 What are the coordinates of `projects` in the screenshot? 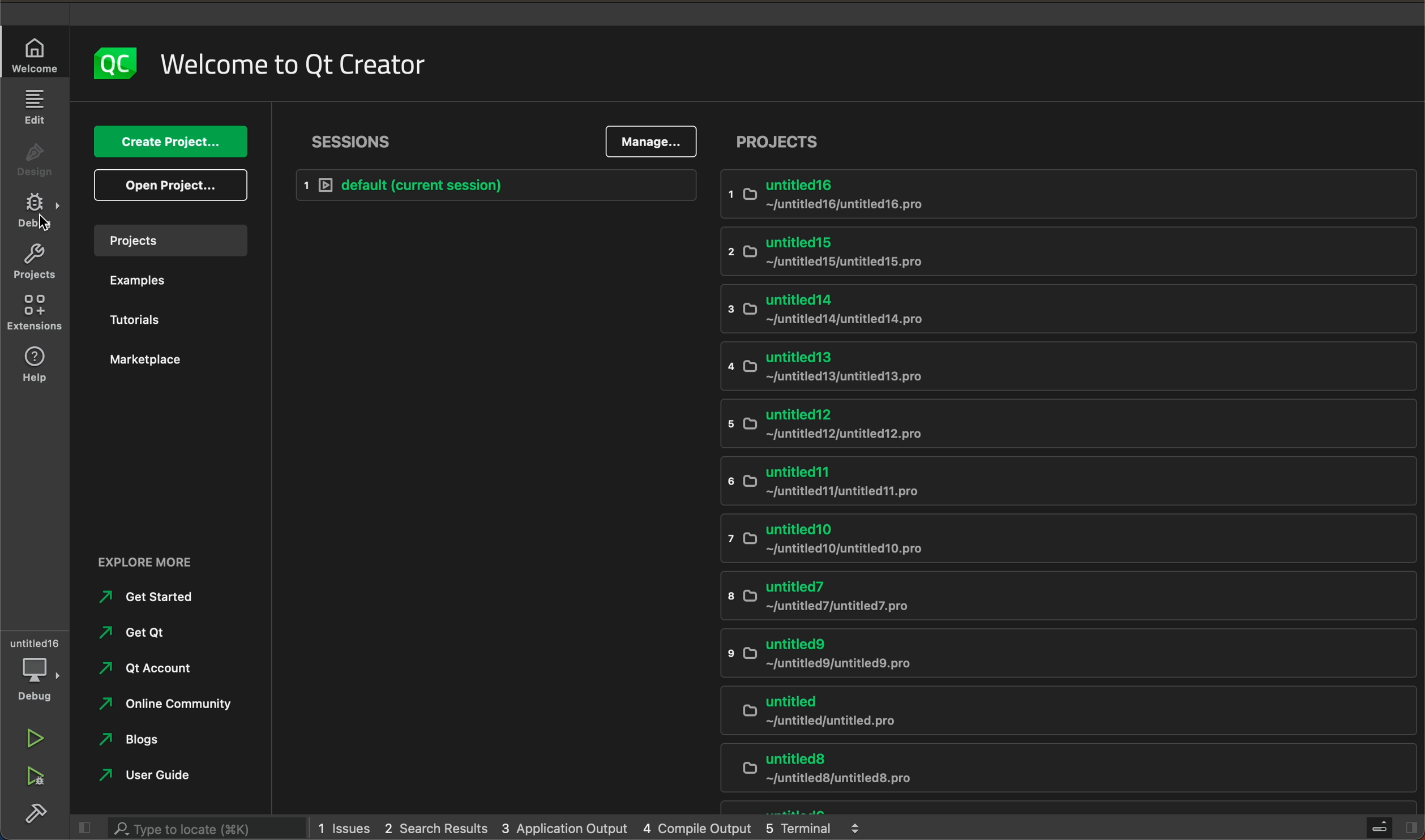 It's located at (778, 140).